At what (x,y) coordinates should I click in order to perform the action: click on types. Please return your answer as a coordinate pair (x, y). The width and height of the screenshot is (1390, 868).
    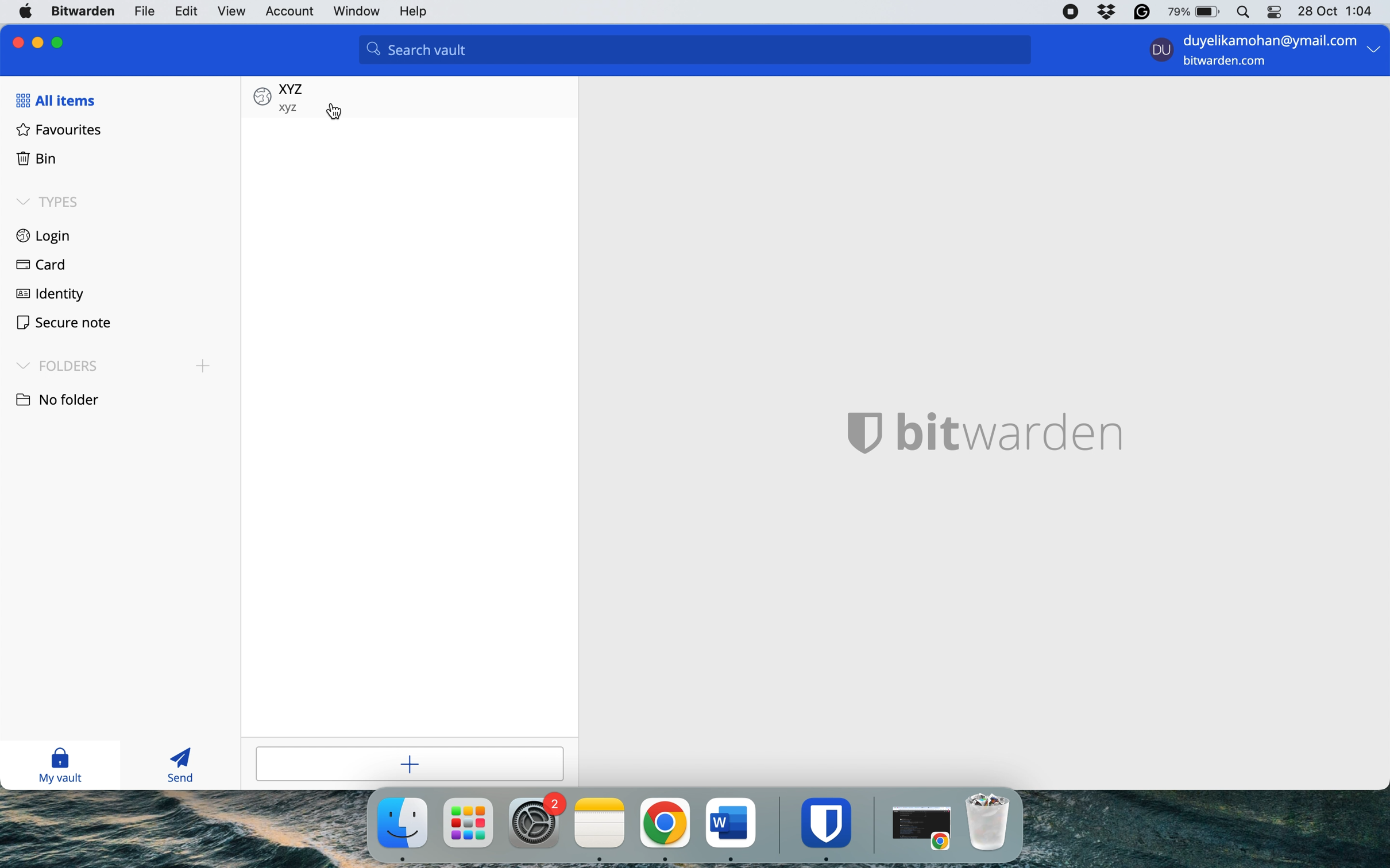
    Looking at the image, I should click on (53, 203).